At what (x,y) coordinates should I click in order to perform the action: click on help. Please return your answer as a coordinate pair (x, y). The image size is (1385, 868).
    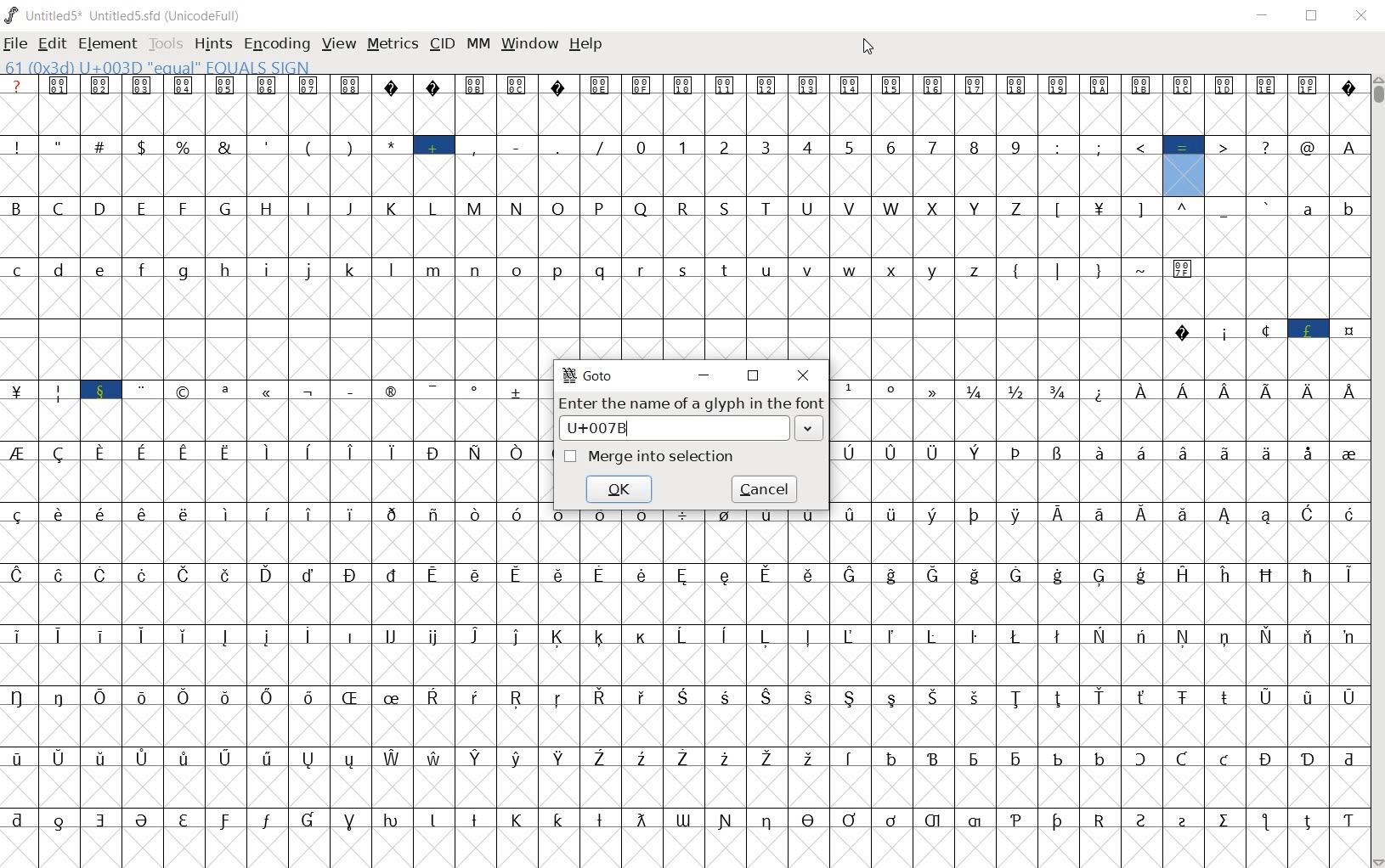
    Looking at the image, I should click on (585, 45).